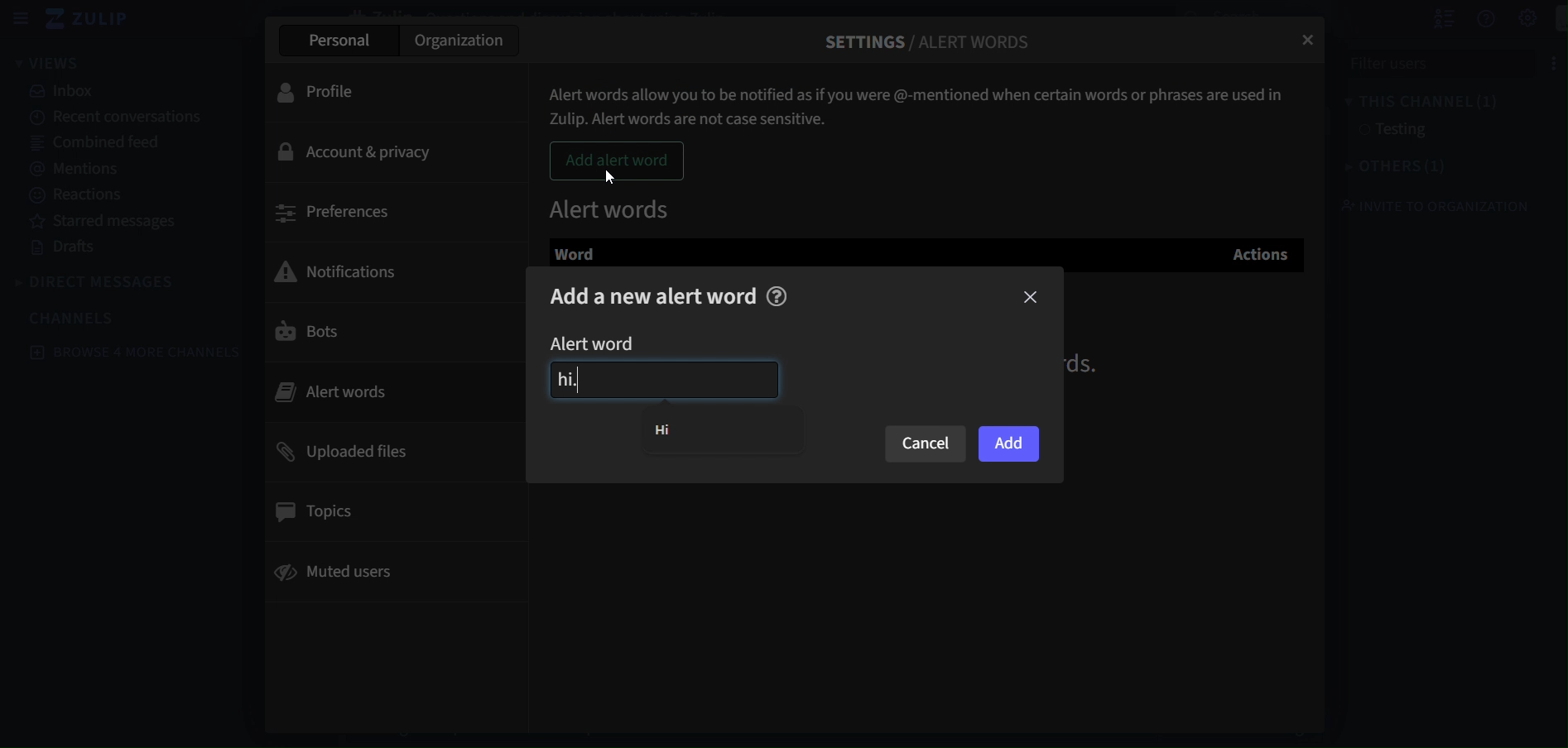 Image resolution: width=1568 pixels, height=748 pixels. What do you see at coordinates (613, 206) in the screenshot?
I see `alert words` at bounding box center [613, 206].